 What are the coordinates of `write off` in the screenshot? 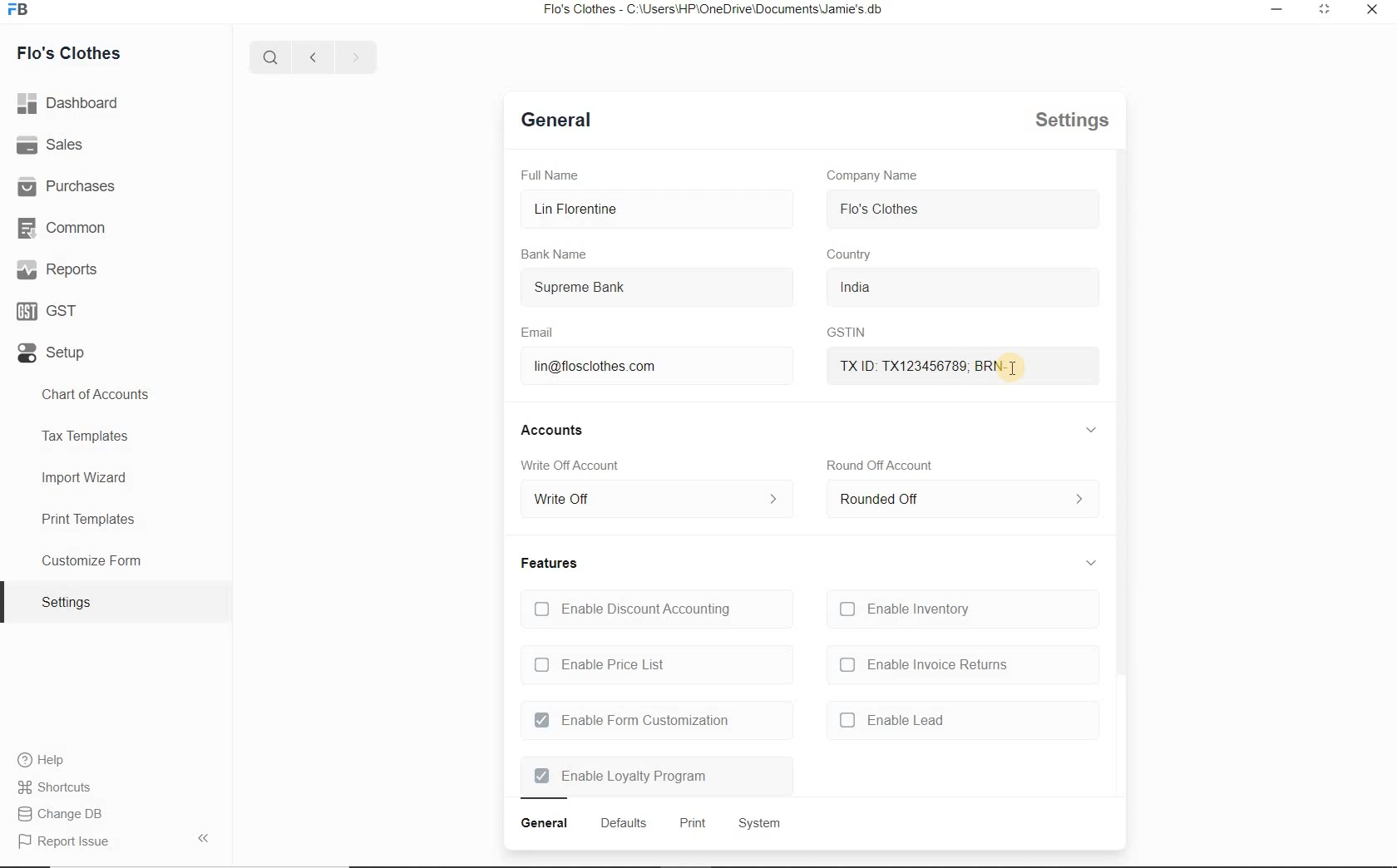 It's located at (654, 501).